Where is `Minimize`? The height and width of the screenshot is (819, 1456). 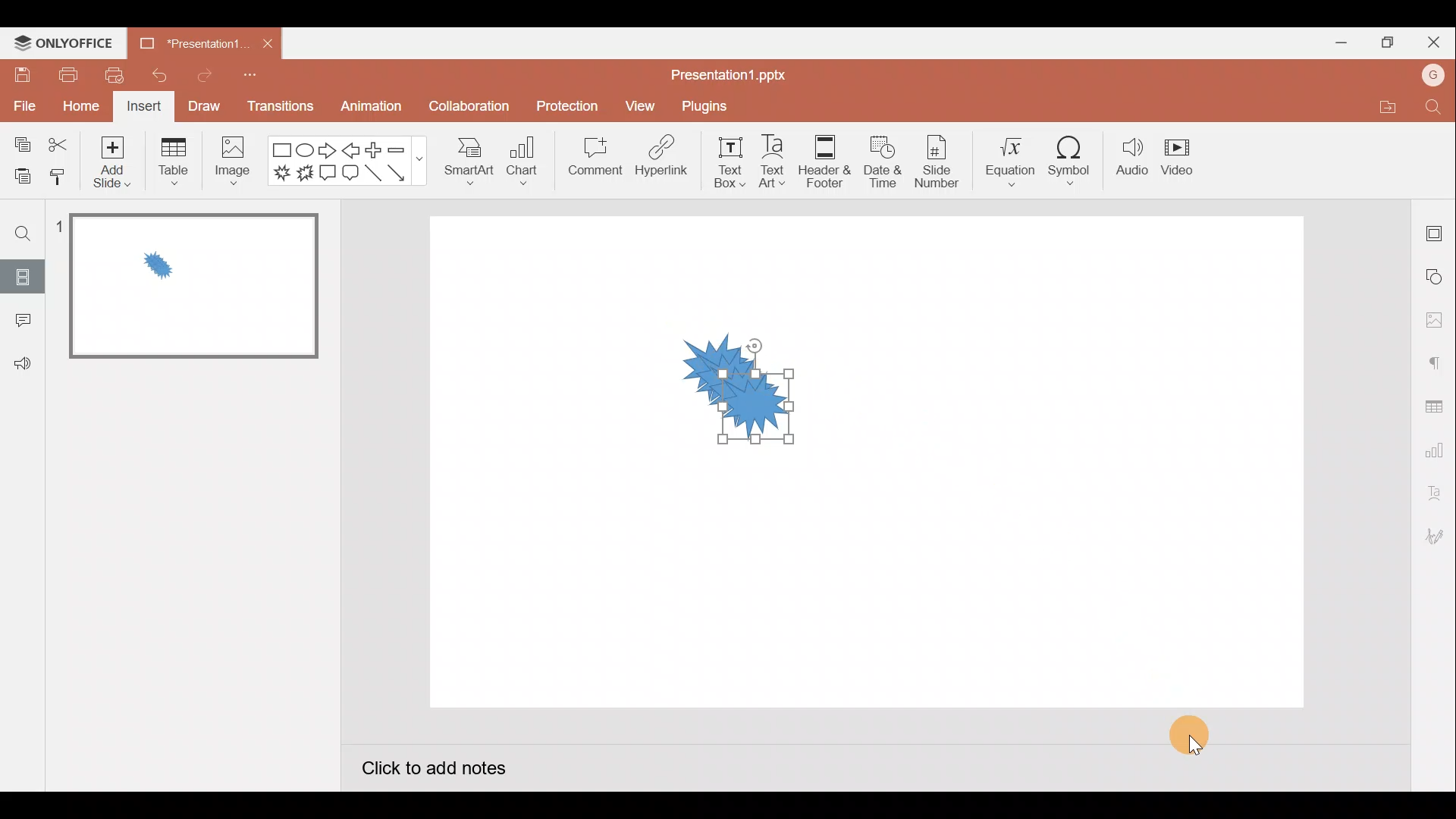 Minimize is located at coordinates (1339, 42).